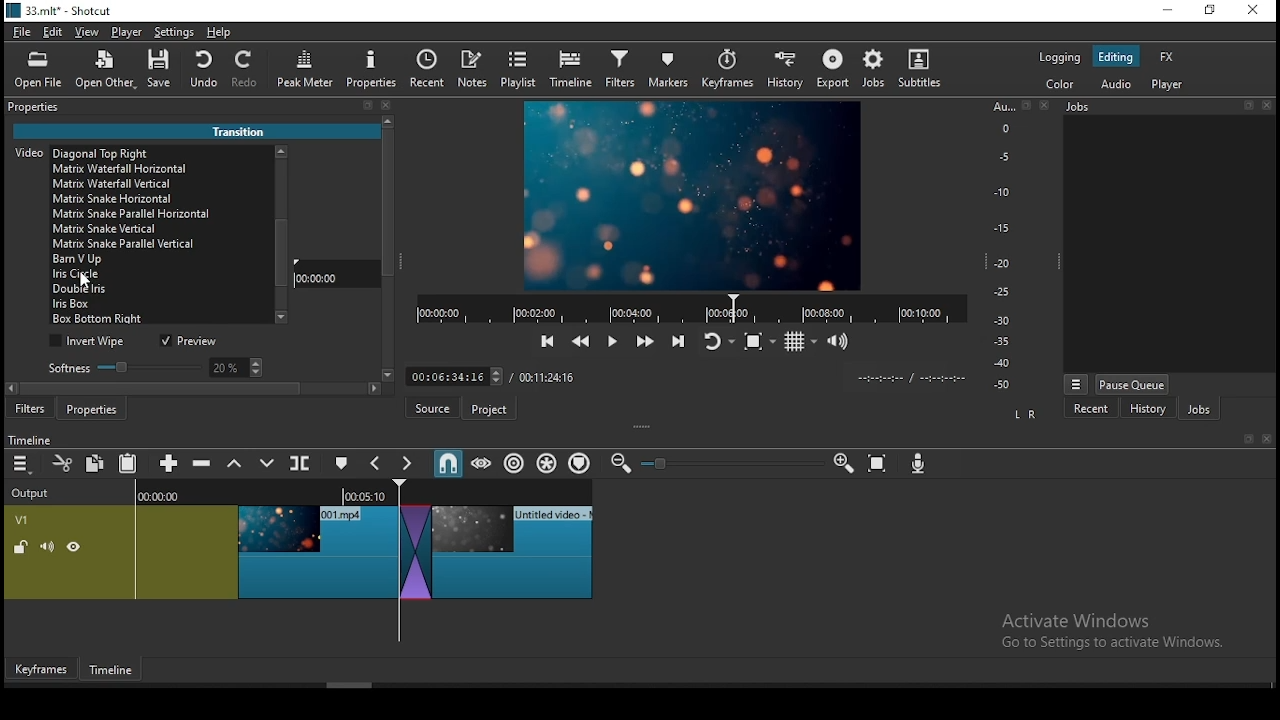 This screenshot has width=1280, height=720. I want to click on previous marker, so click(377, 463).